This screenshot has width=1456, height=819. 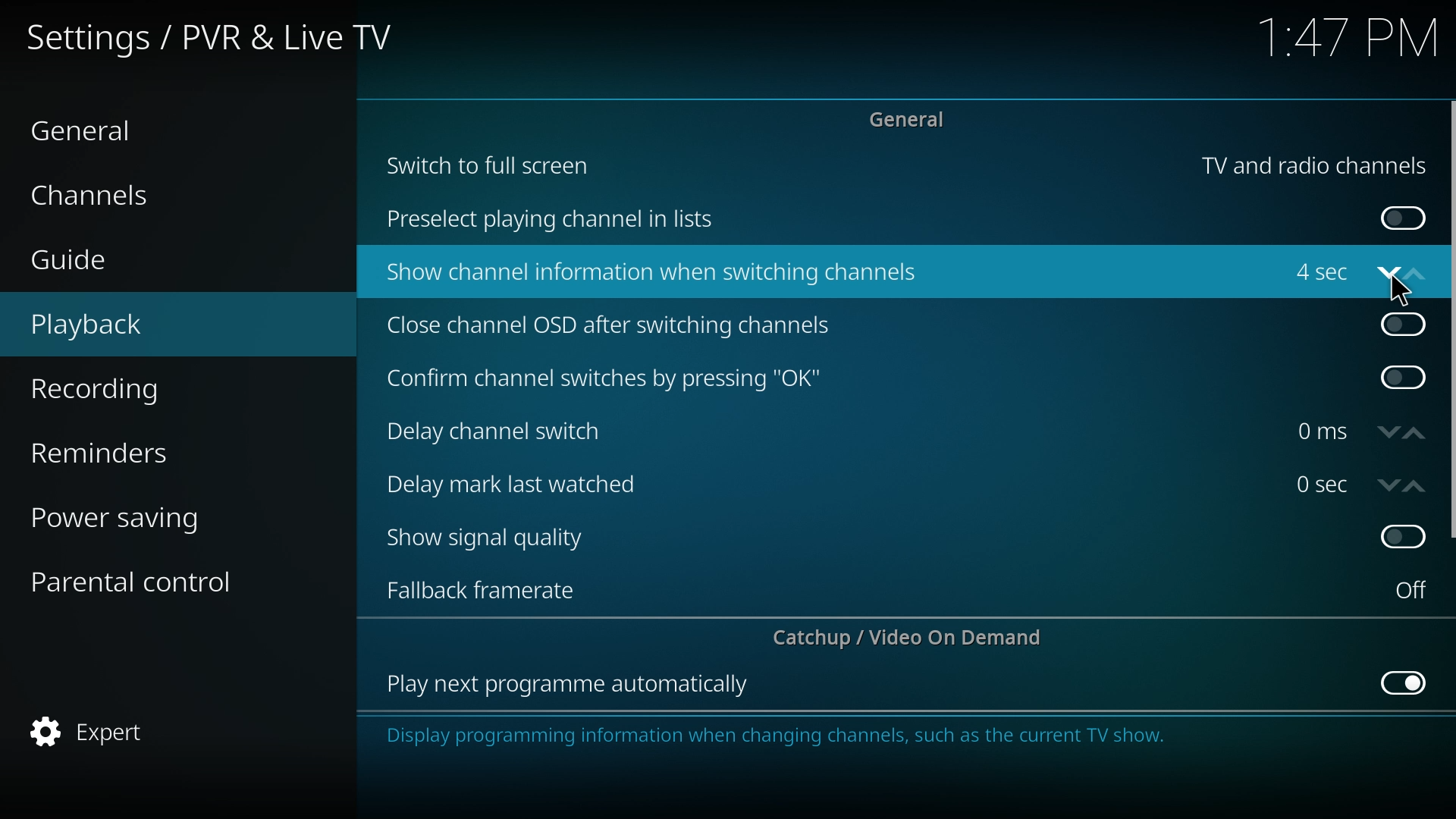 I want to click on general, so click(x=107, y=129).